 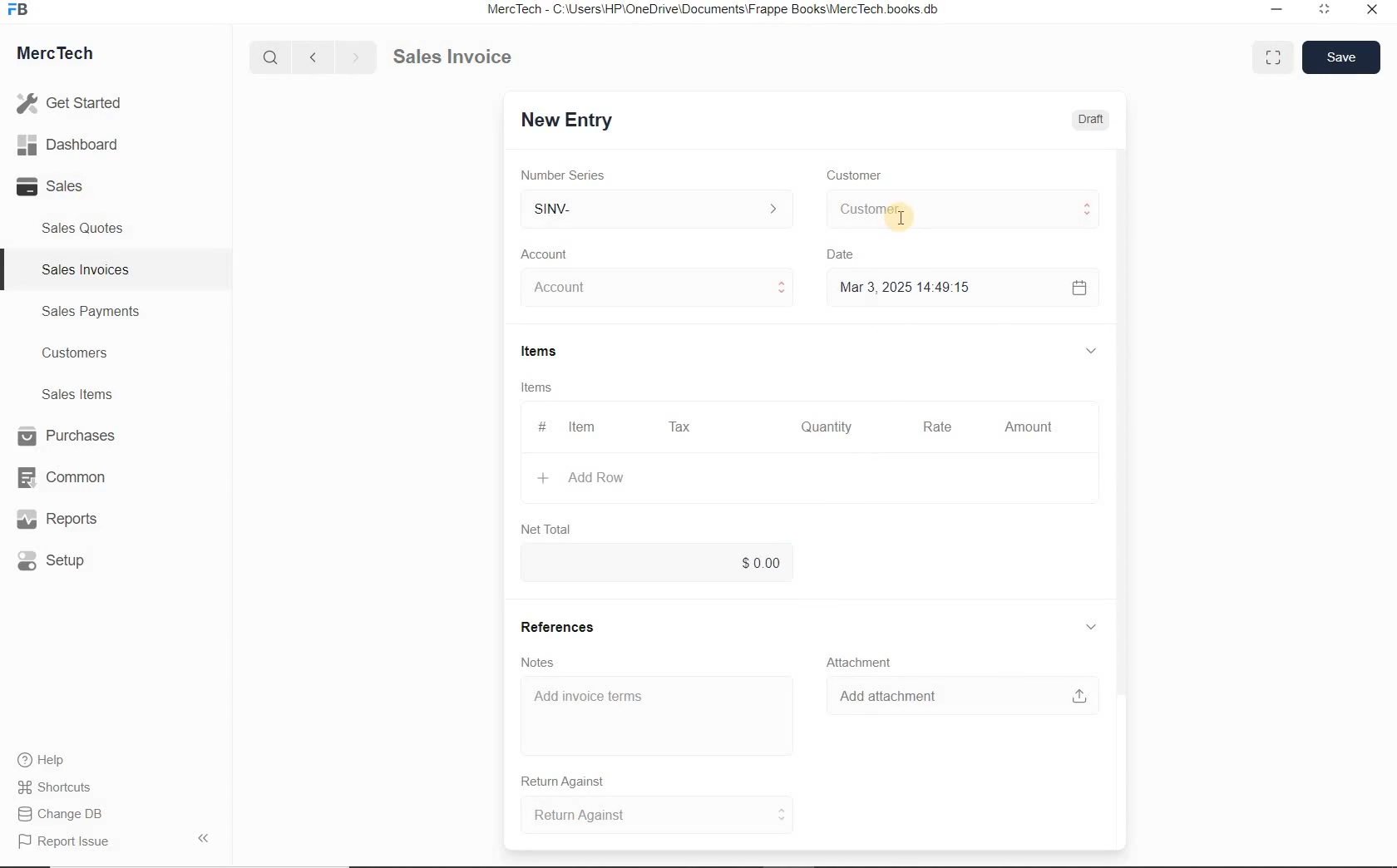 I want to click on Maximum, so click(x=1325, y=12).